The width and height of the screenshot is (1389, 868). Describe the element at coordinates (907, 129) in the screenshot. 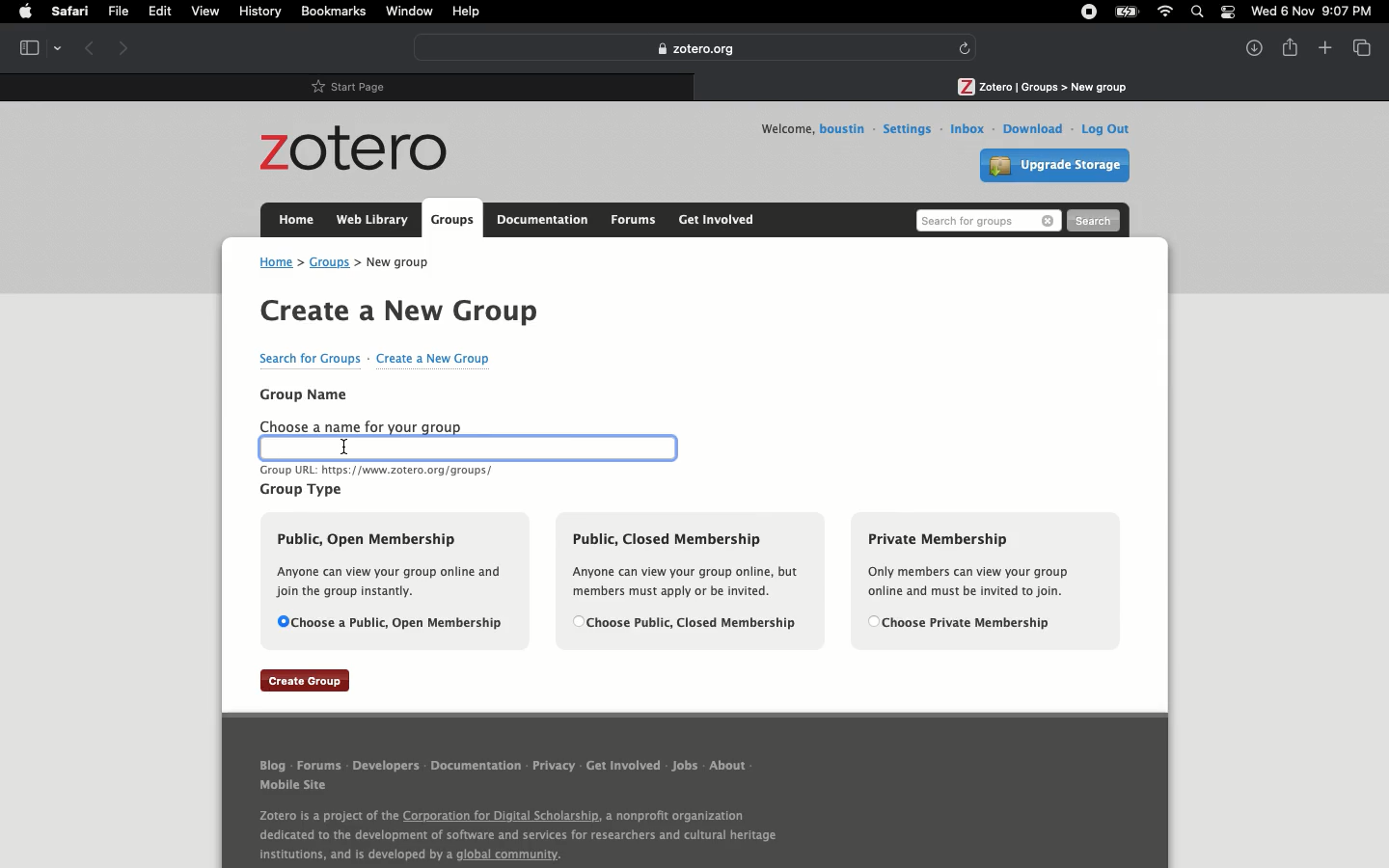

I see `Settings` at that location.